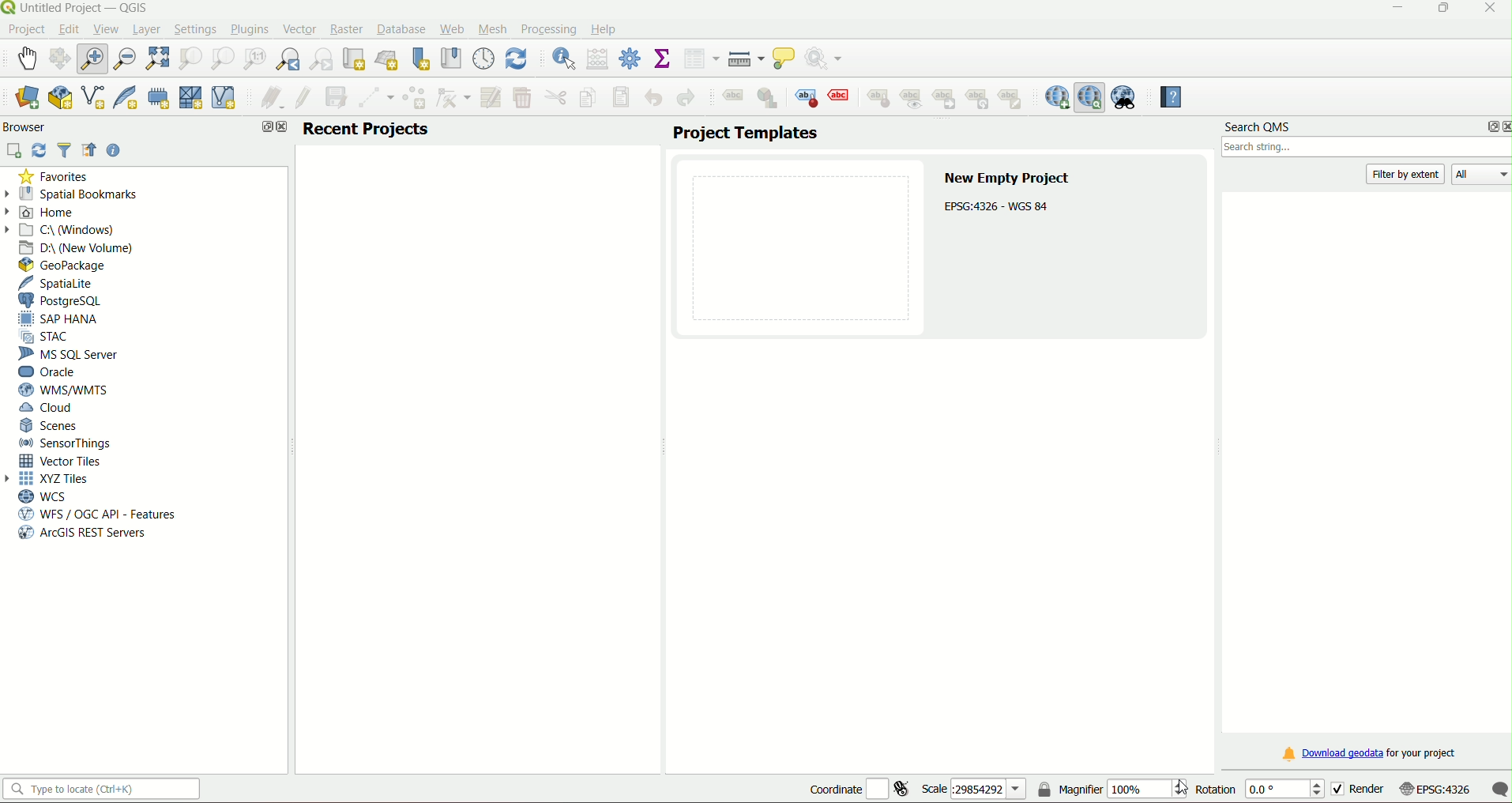 This screenshot has width=1512, height=803. I want to click on AroGIS REST Servers, so click(81, 534).